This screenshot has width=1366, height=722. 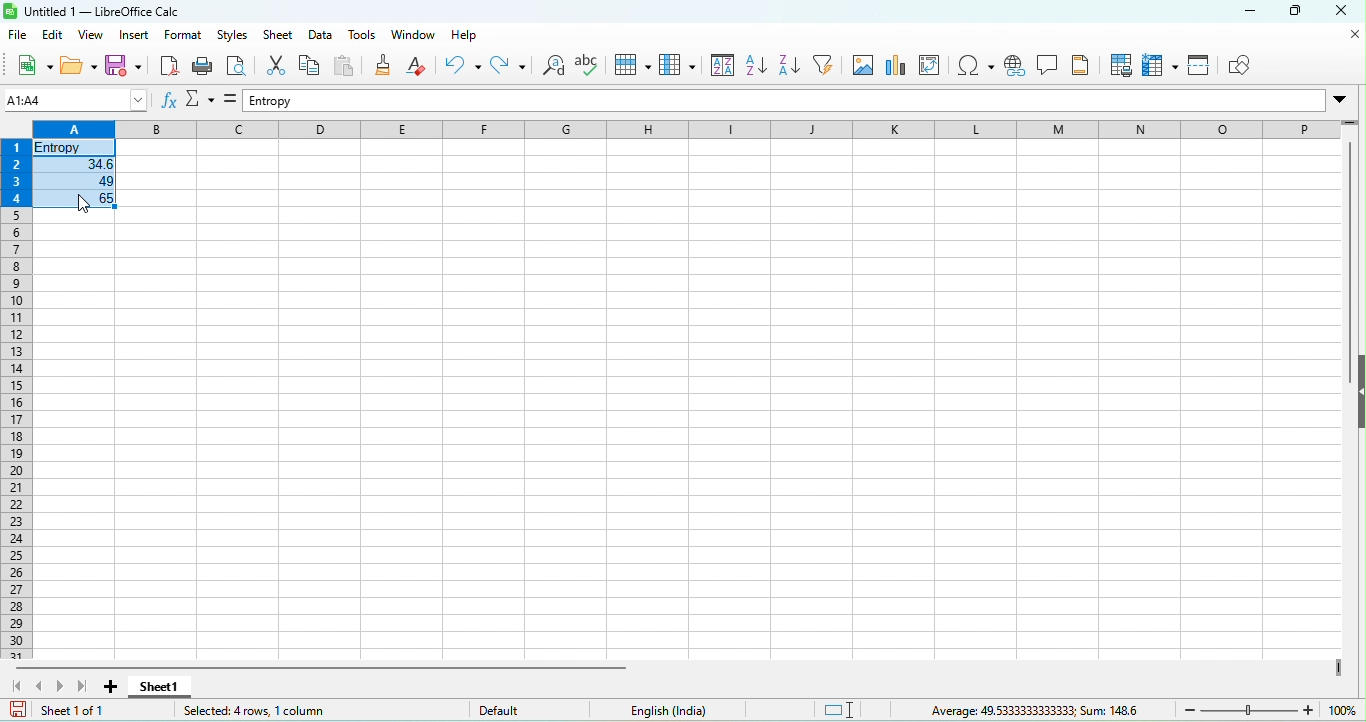 I want to click on drag to view more columns, so click(x=1339, y=667).